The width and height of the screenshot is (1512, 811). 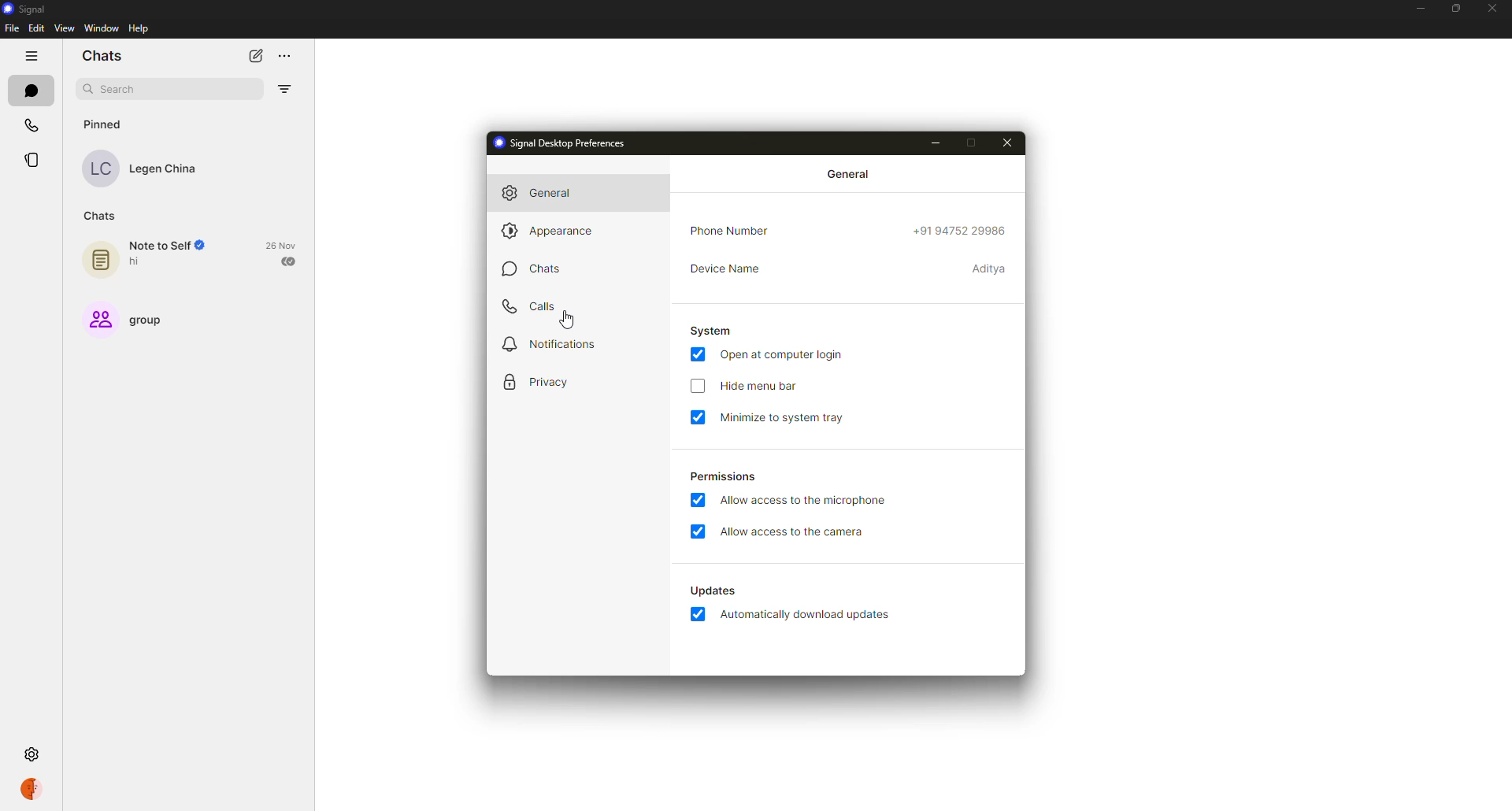 I want to click on minimize, so click(x=1418, y=7).